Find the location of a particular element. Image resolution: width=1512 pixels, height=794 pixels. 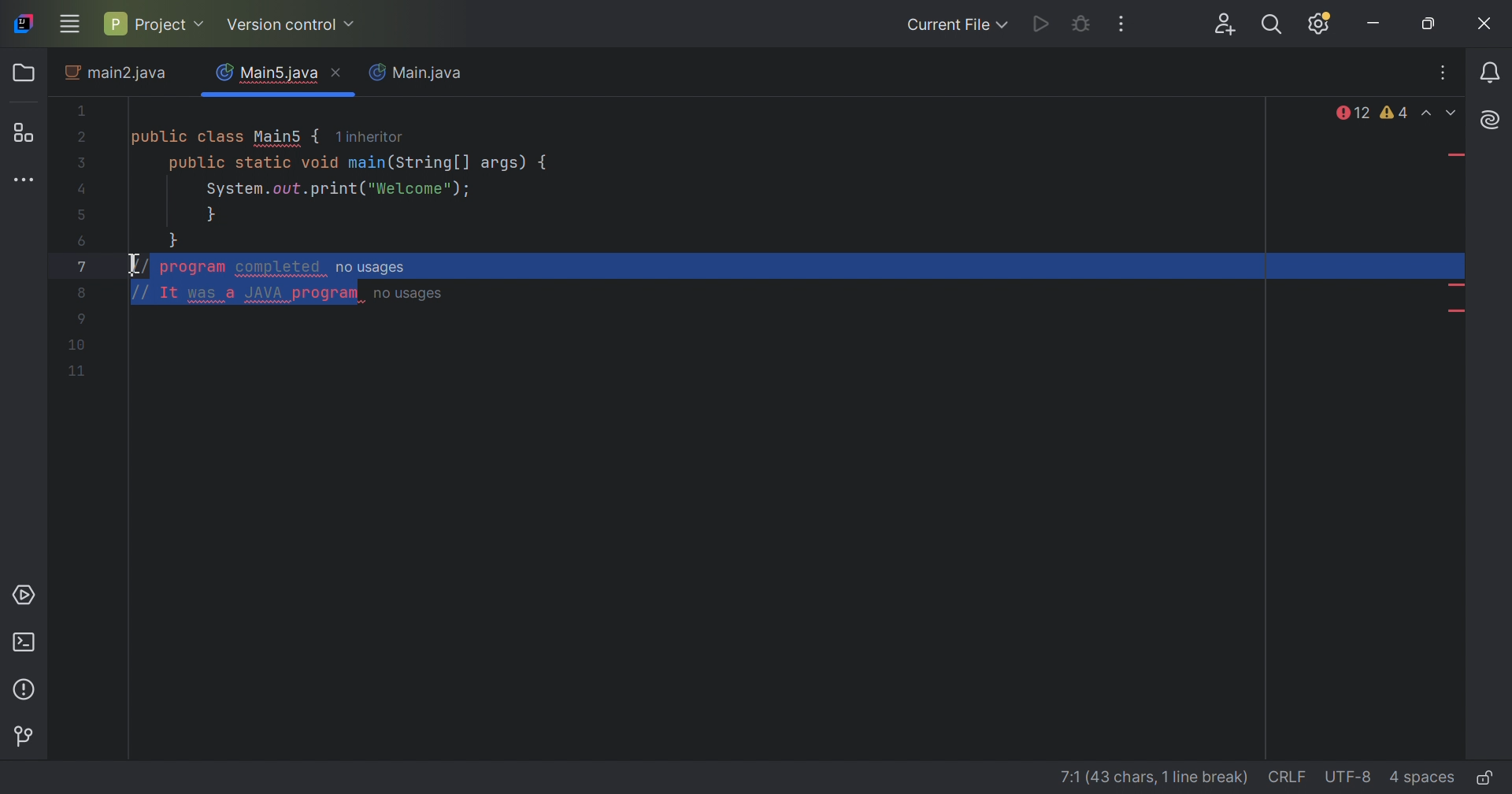

Main.java is located at coordinates (421, 74).